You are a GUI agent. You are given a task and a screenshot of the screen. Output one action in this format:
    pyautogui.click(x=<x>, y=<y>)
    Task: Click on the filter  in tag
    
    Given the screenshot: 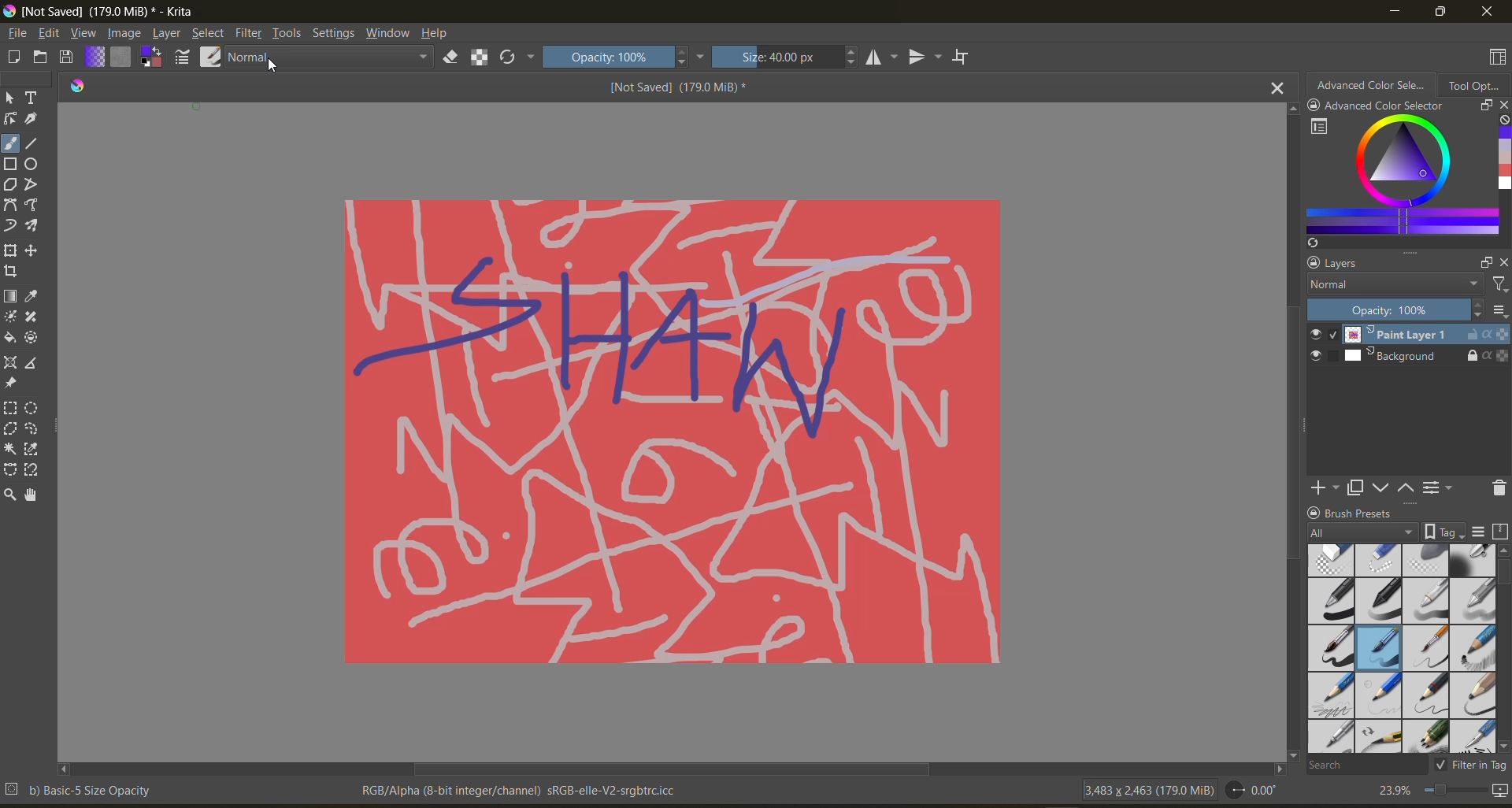 What is the action you would take?
    pyautogui.click(x=1469, y=766)
    